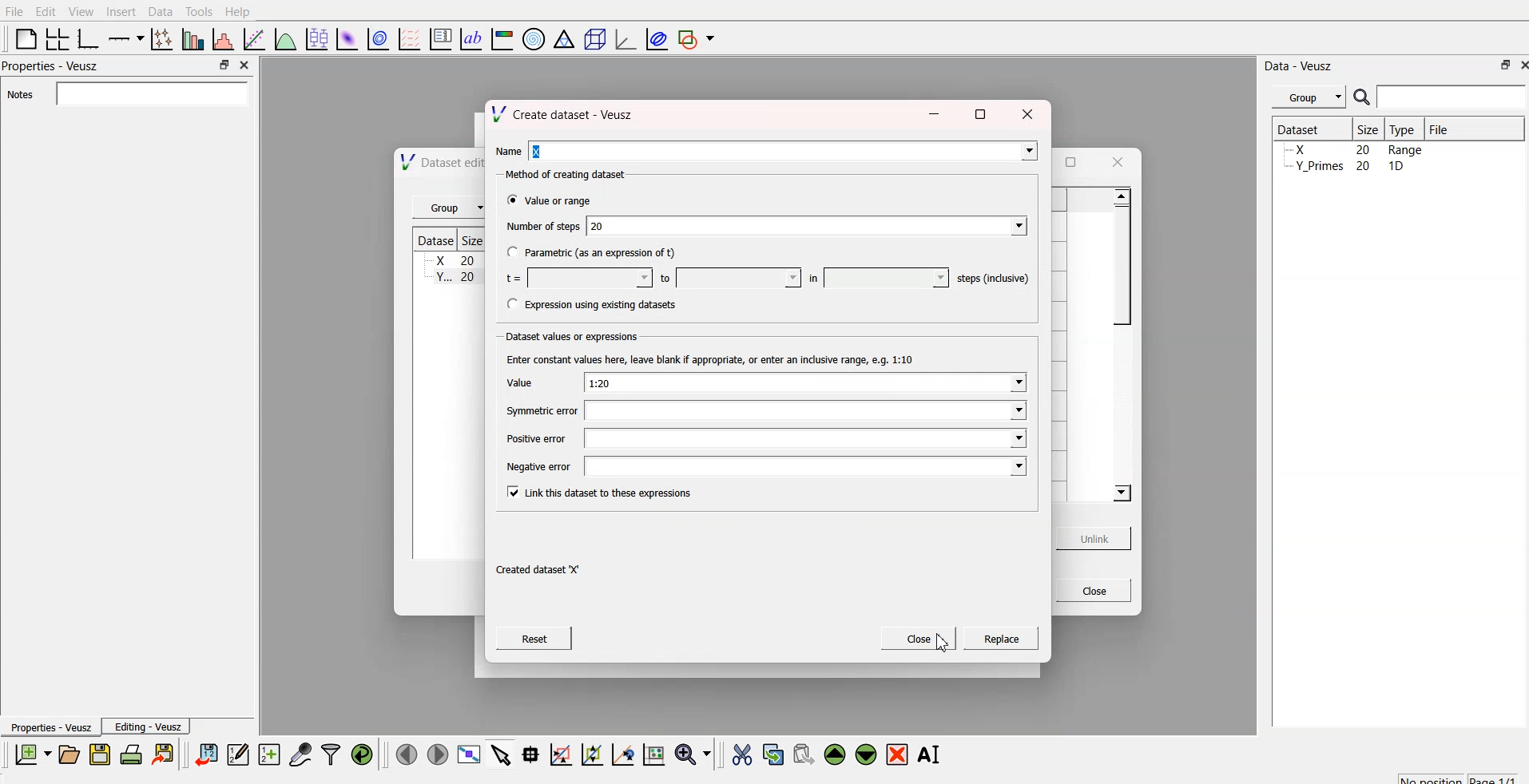 The image size is (1529, 784). What do you see at coordinates (570, 335) in the screenshot?
I see `Dataset values or expressions` at bounding box center [570, 335].